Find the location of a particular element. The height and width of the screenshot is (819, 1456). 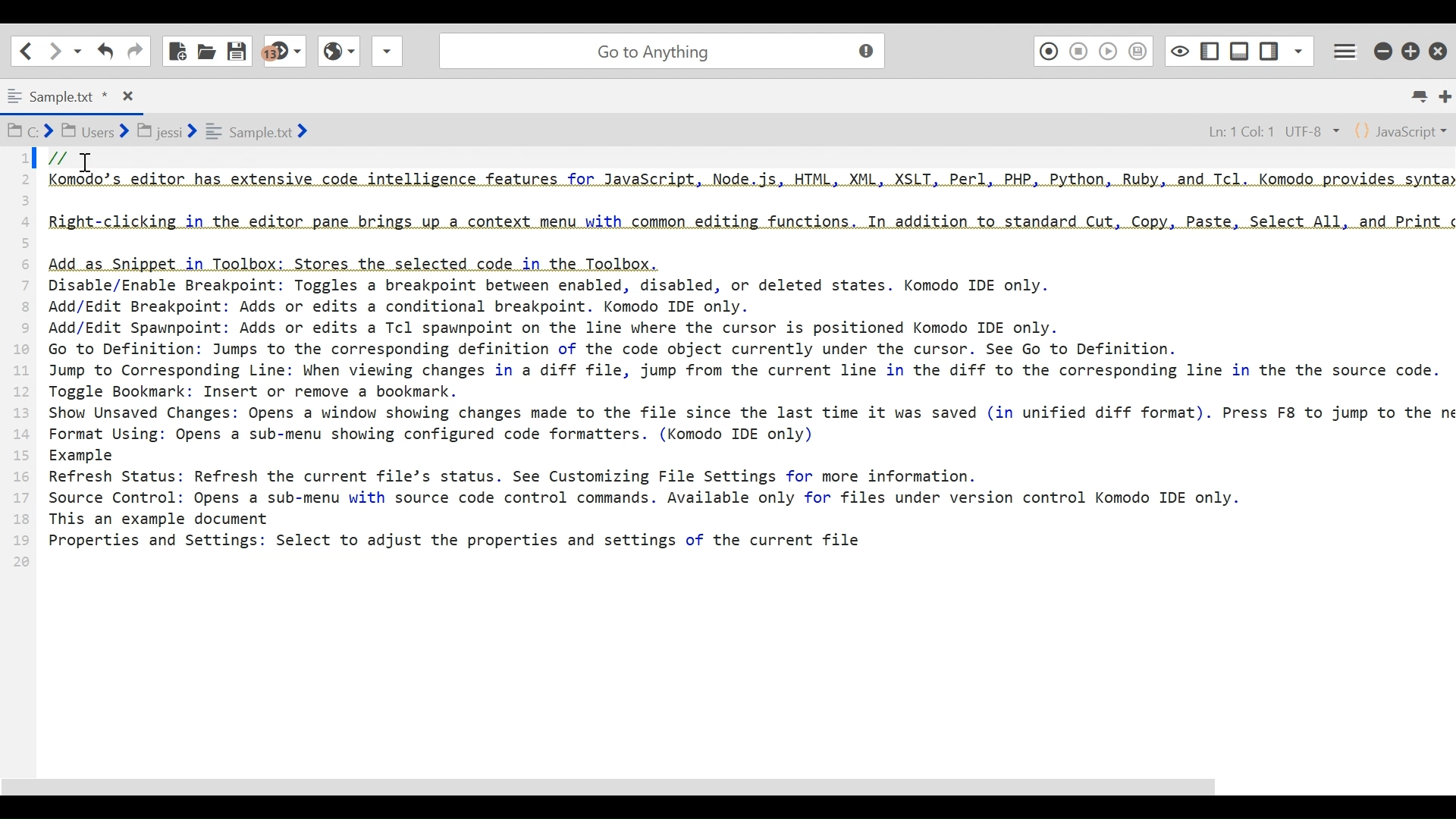

Play Last Macro is located at coordinates (1108, 50).